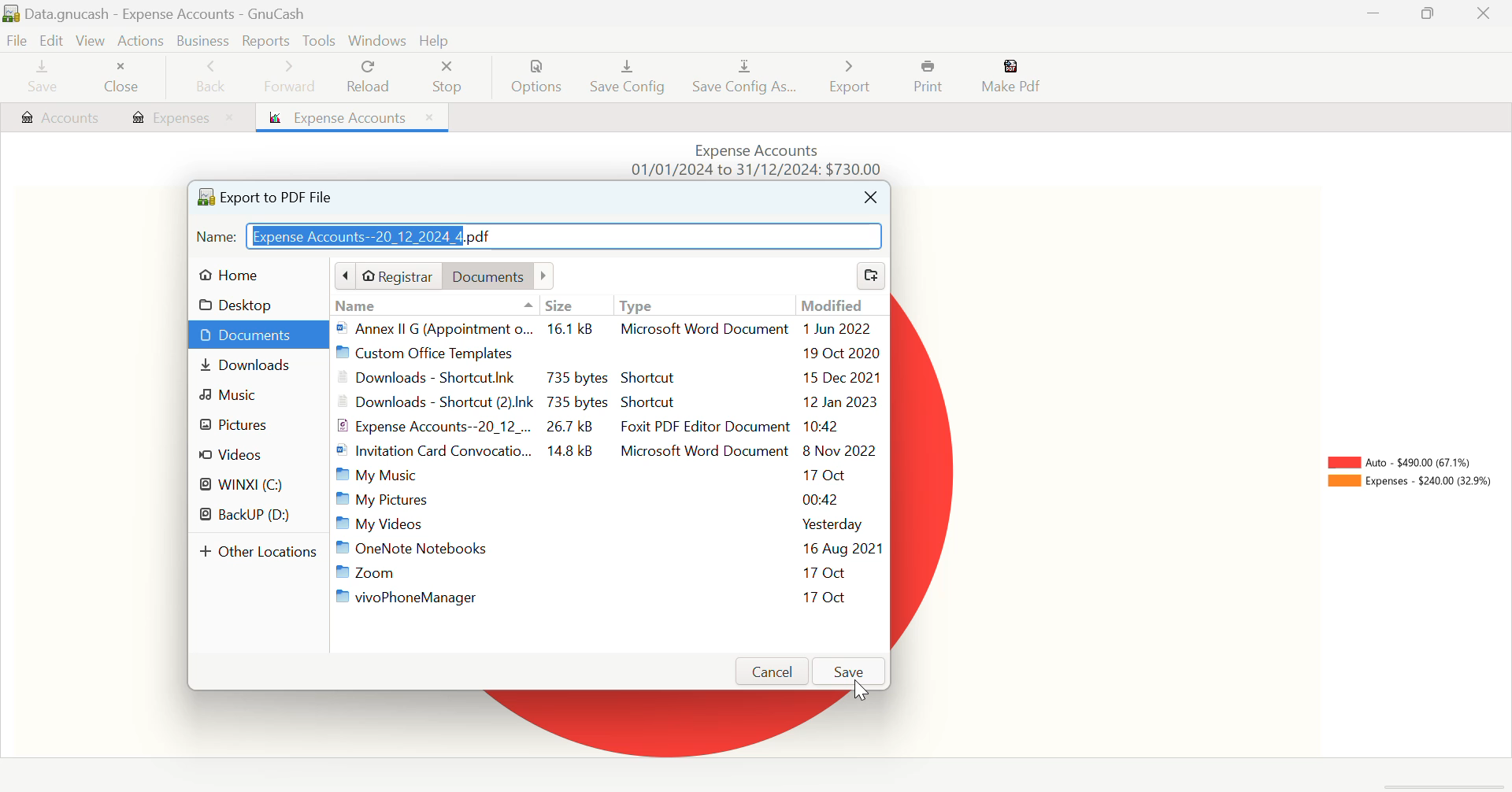 This screenshot has width=1512, height=792. What do you see at coordinates (259, 336) in the screenshot?
I see `Documents Folder Open` at bounding box center [259, 336].